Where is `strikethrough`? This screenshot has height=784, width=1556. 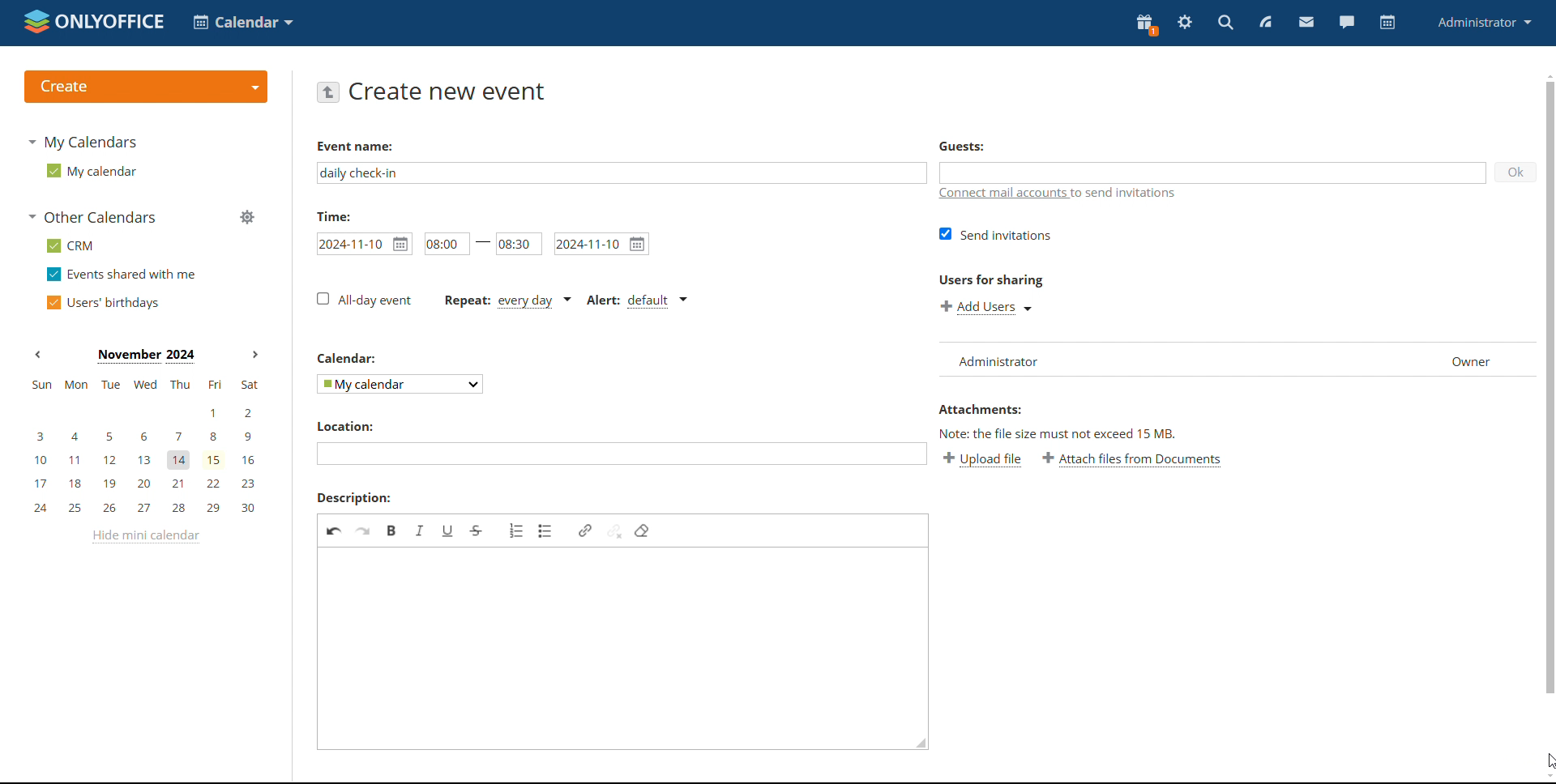 strikethrough is located at coordinates (477, 530).